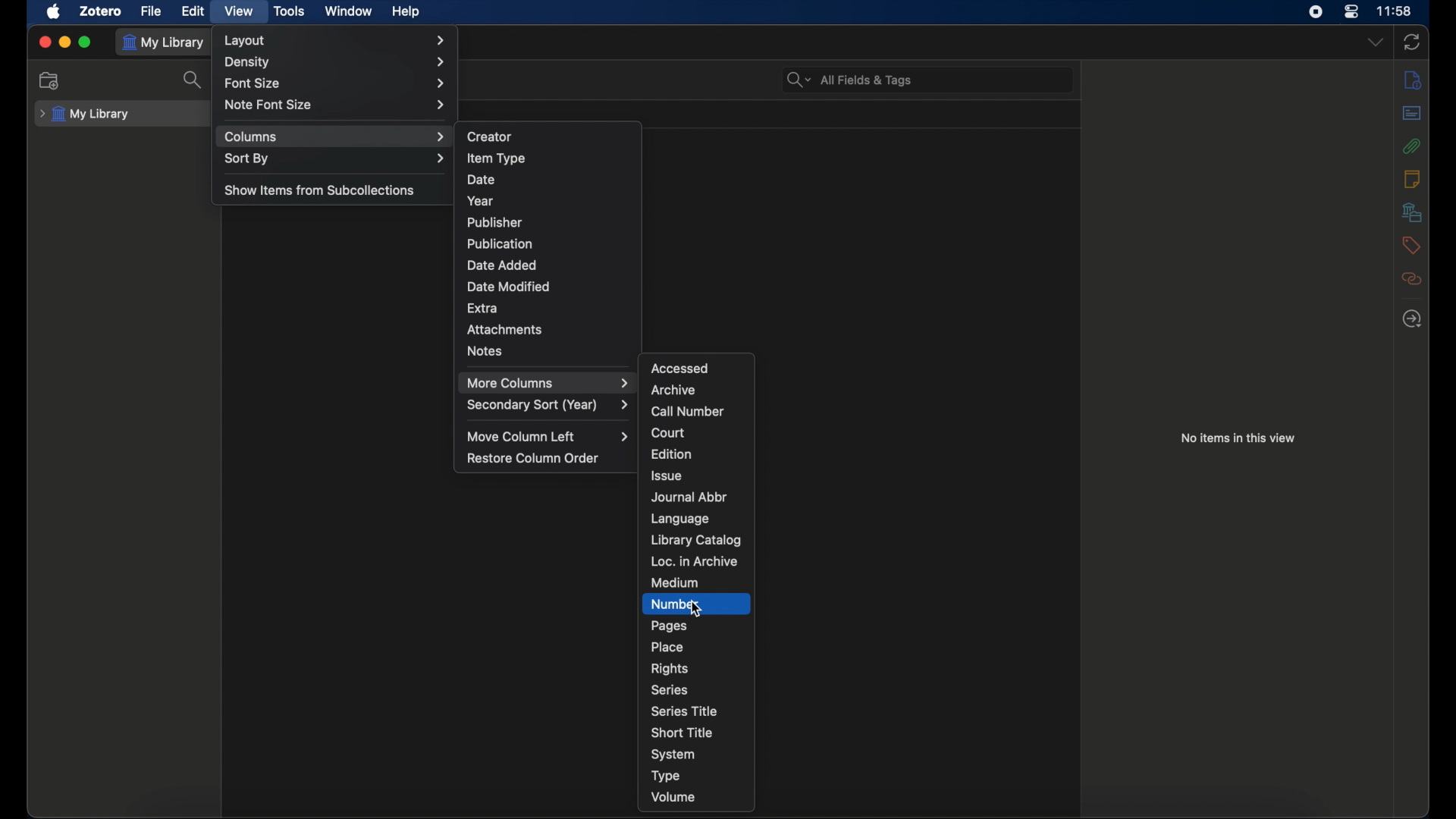 This screenshot has width=1456, height=819. What do you see at coordinates (1411, 177) in the screenshot?
I see `notes` at bounding box center [1411, 177].